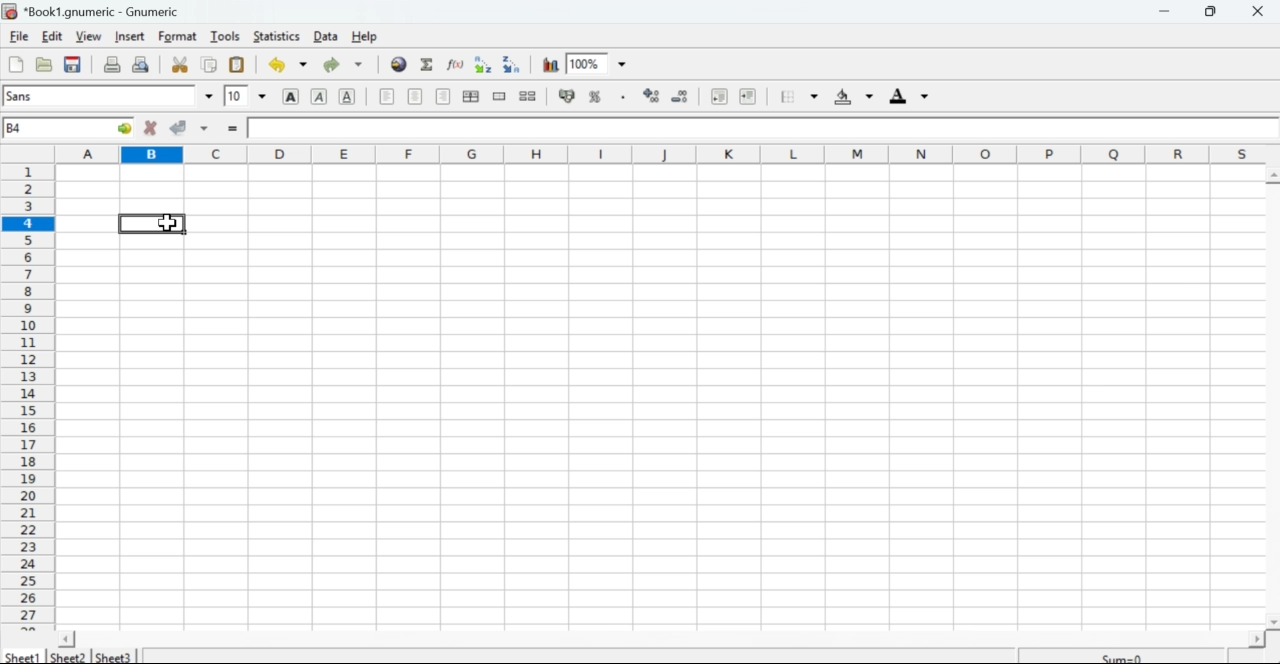  I want to click on Sum, so click(1123, 655).